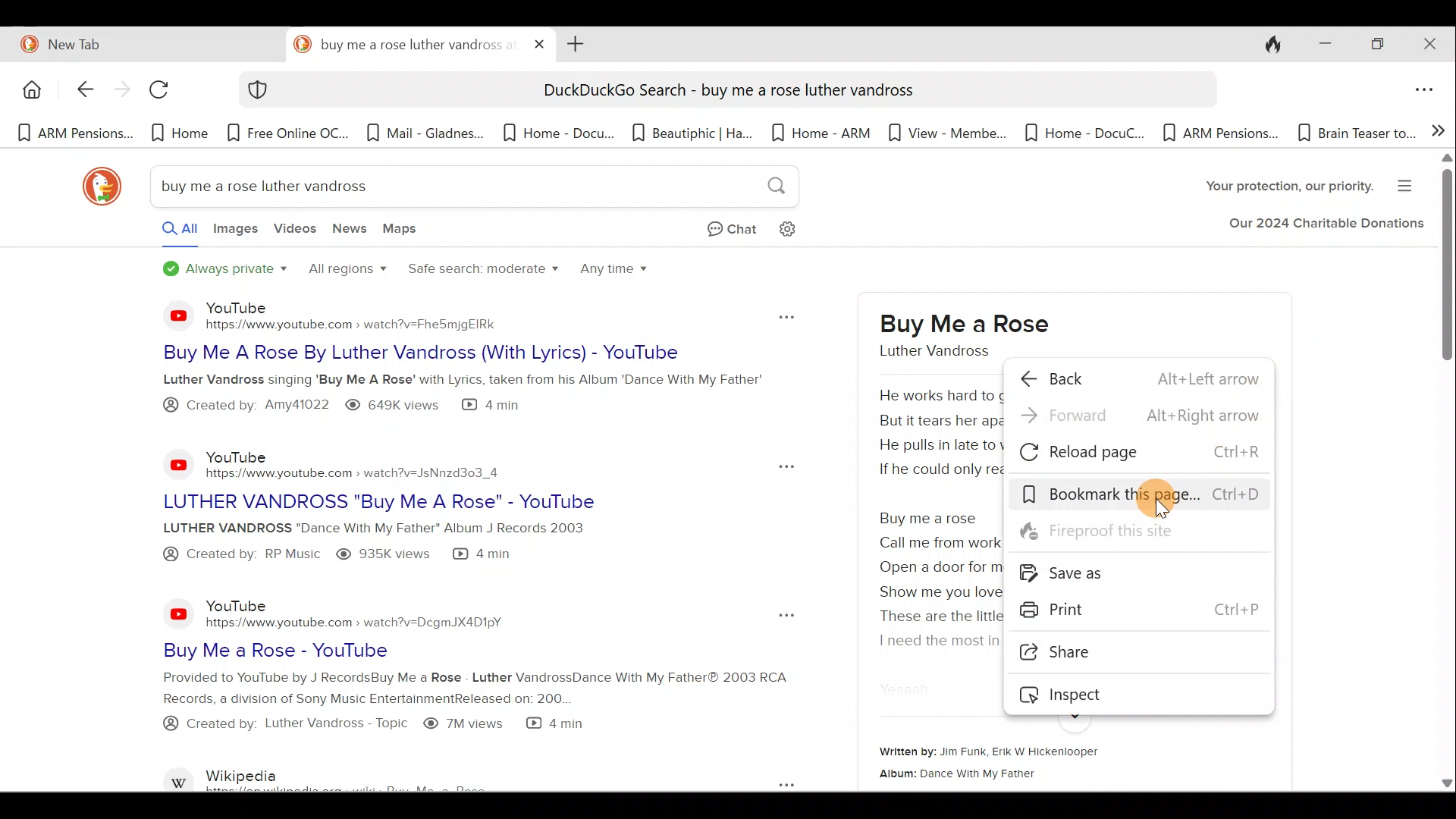 The height and width of the screenshot is (819, 1456). I want to click on Pop out, so click(773, 465).